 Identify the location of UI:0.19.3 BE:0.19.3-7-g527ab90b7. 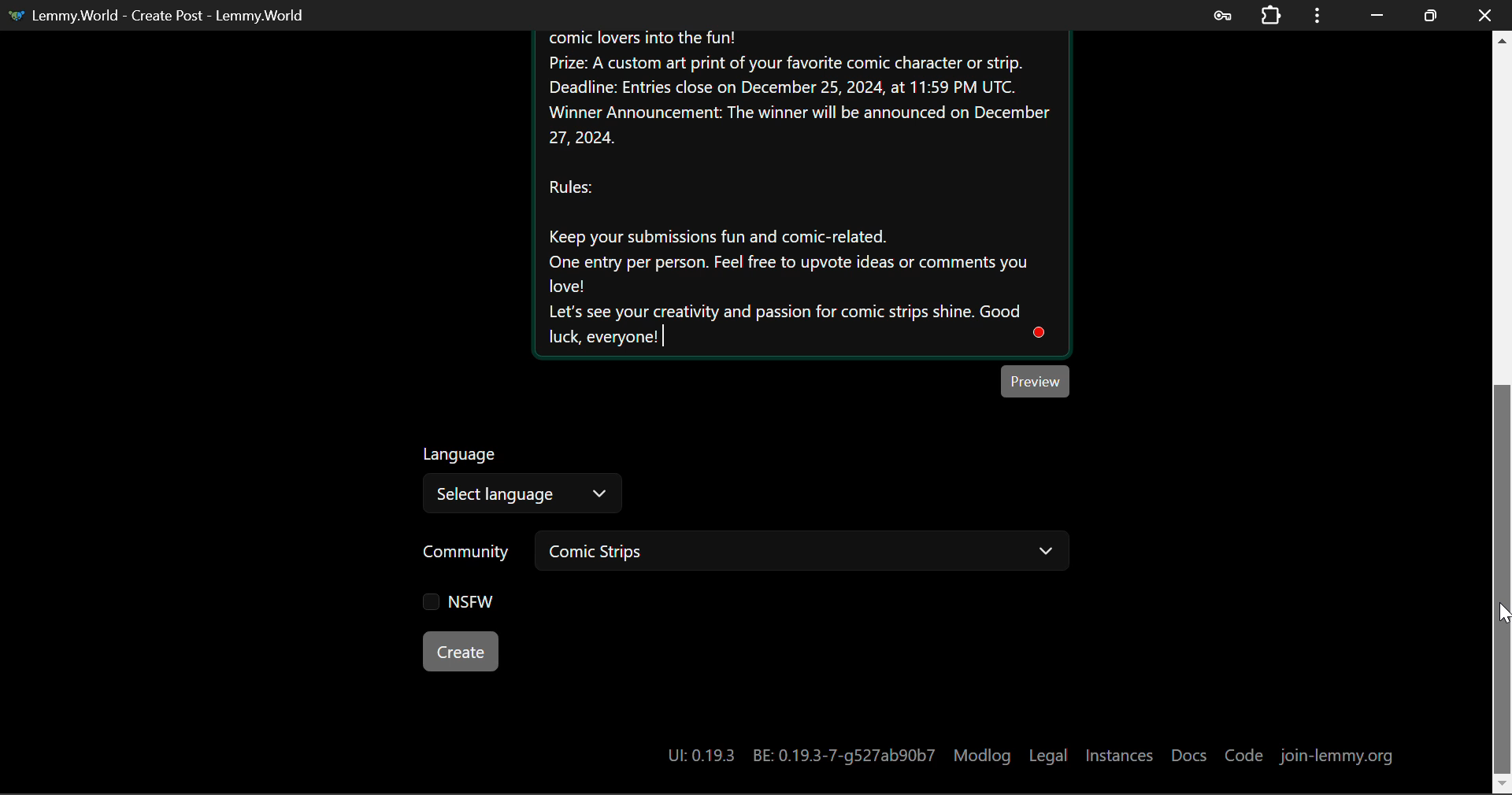
(800, 756).